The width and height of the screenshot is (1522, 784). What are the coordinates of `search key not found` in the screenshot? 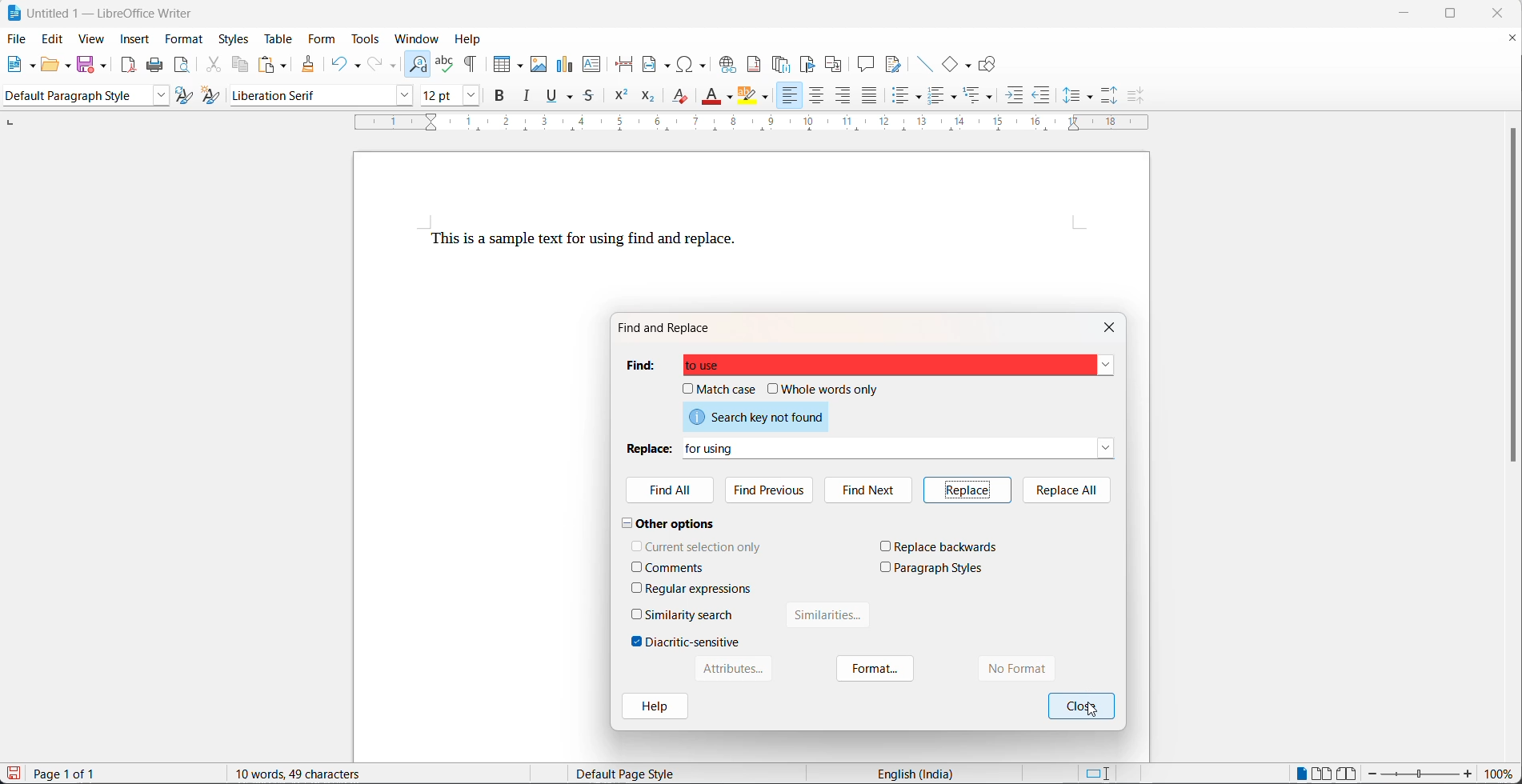 It's located at (754, 418).